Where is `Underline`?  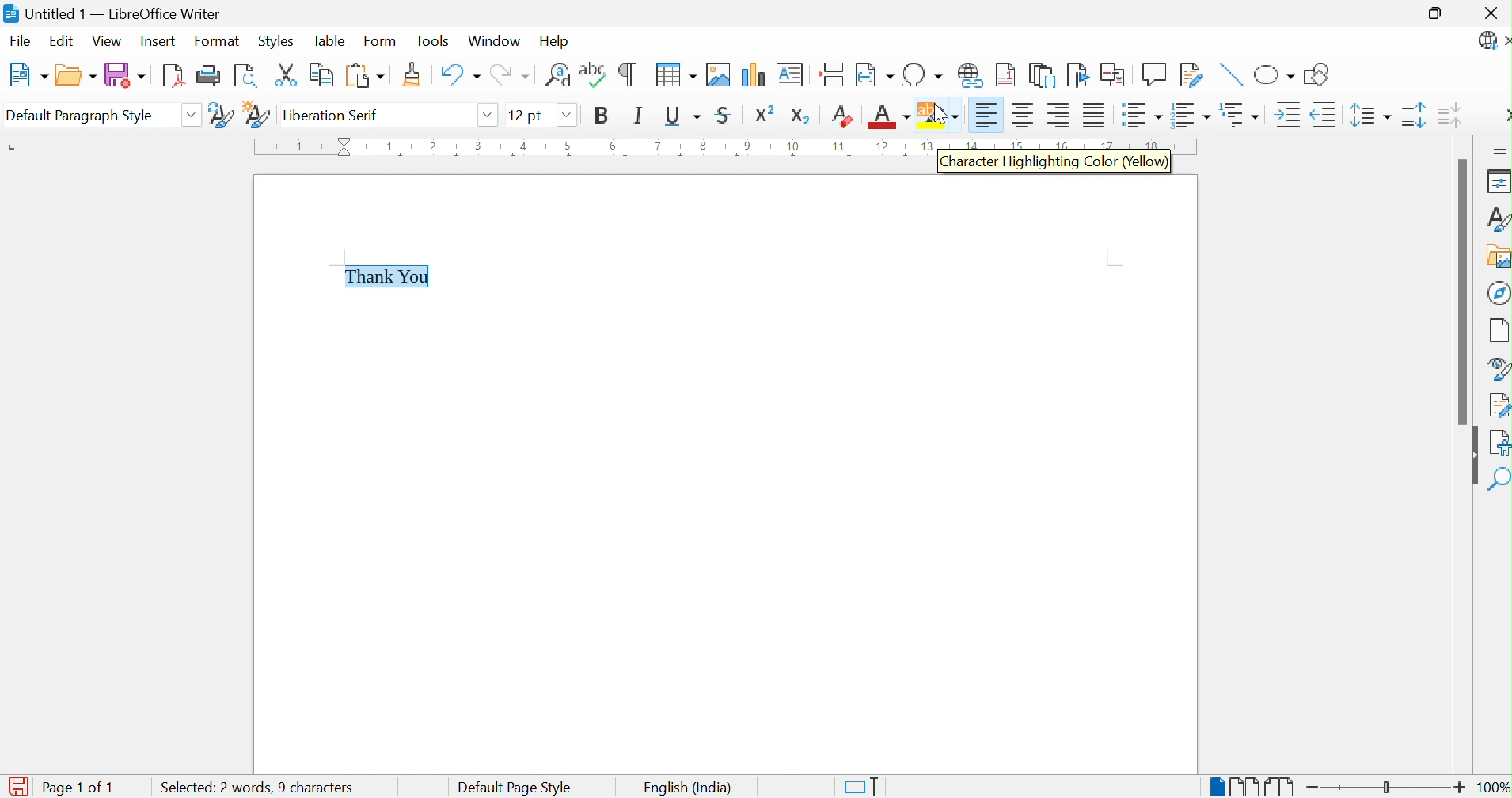 Underline is located at coordinates (685, 115).